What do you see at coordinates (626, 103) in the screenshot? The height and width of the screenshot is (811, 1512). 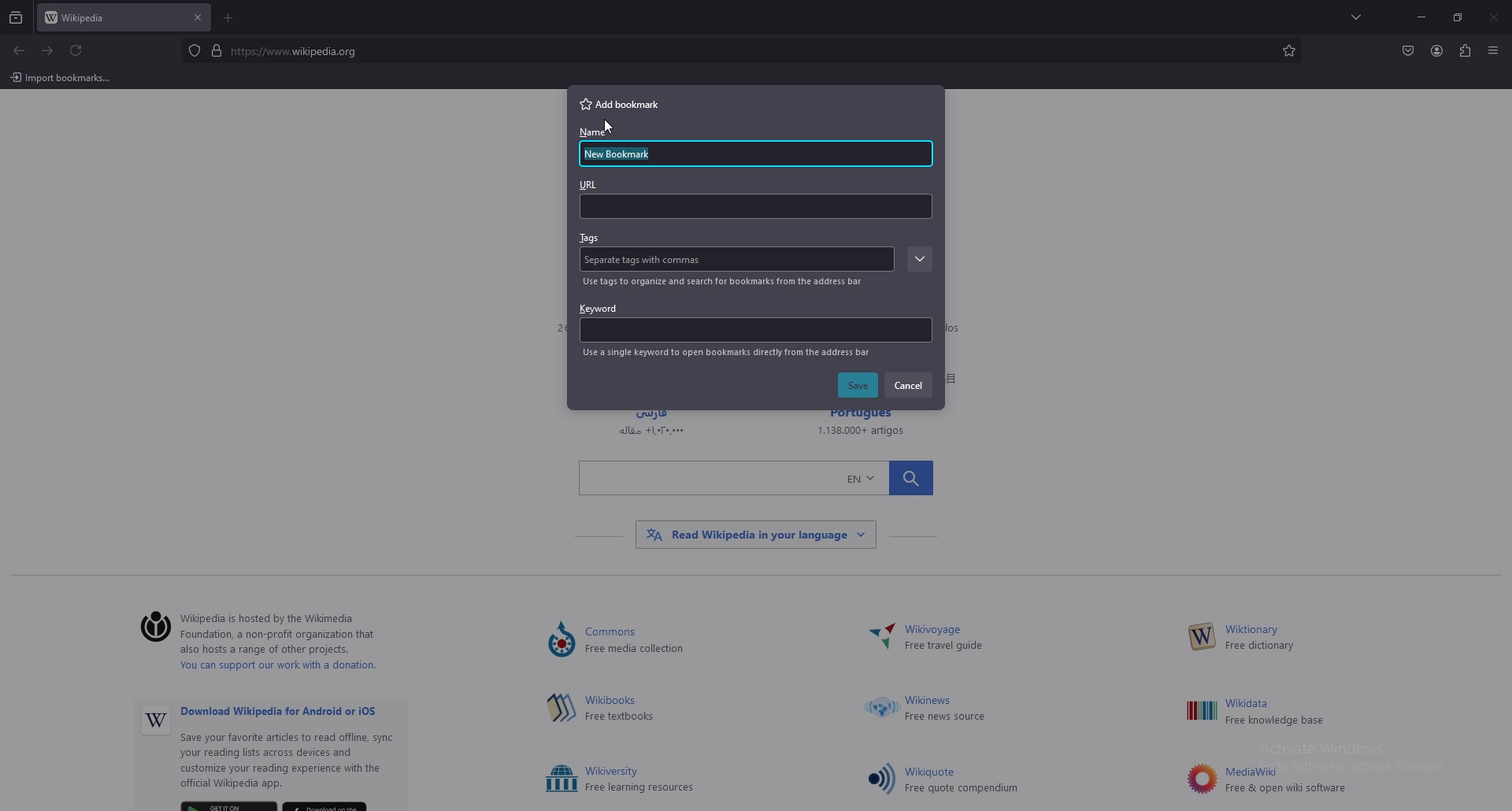 I see `add bookmark` at bounding box center [626, 103].